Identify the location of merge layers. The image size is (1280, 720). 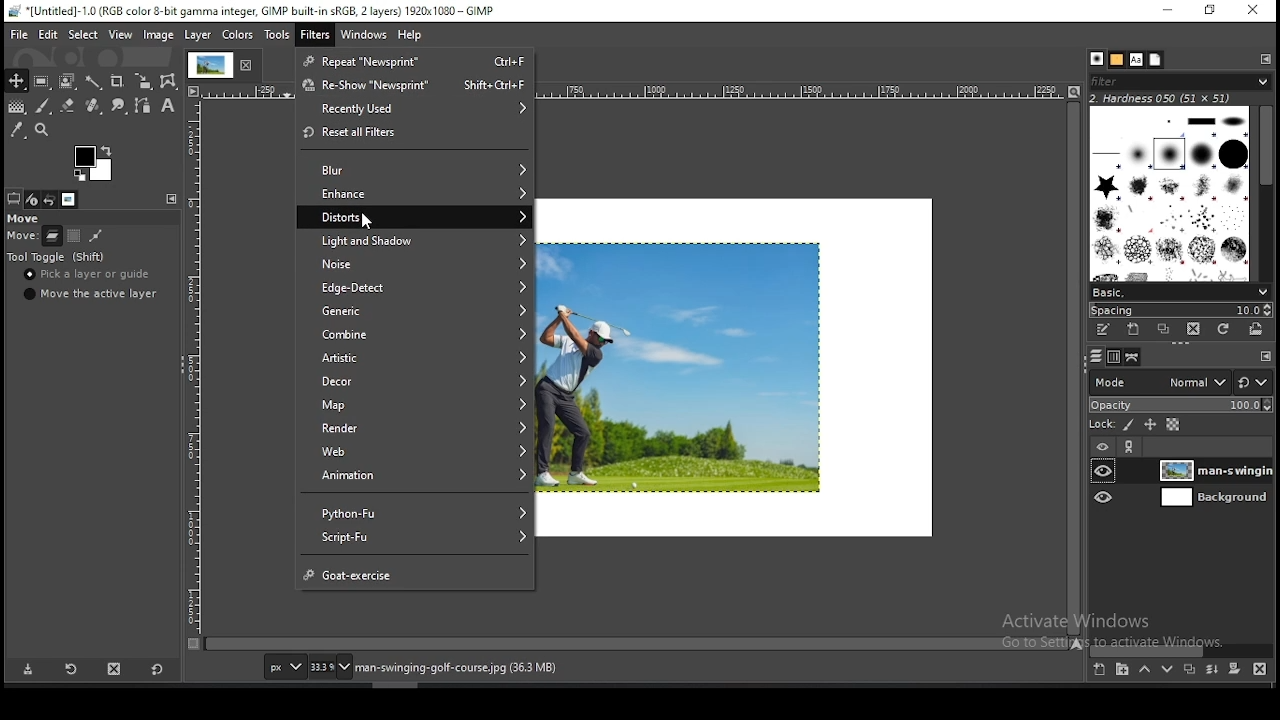
(1210, 669).